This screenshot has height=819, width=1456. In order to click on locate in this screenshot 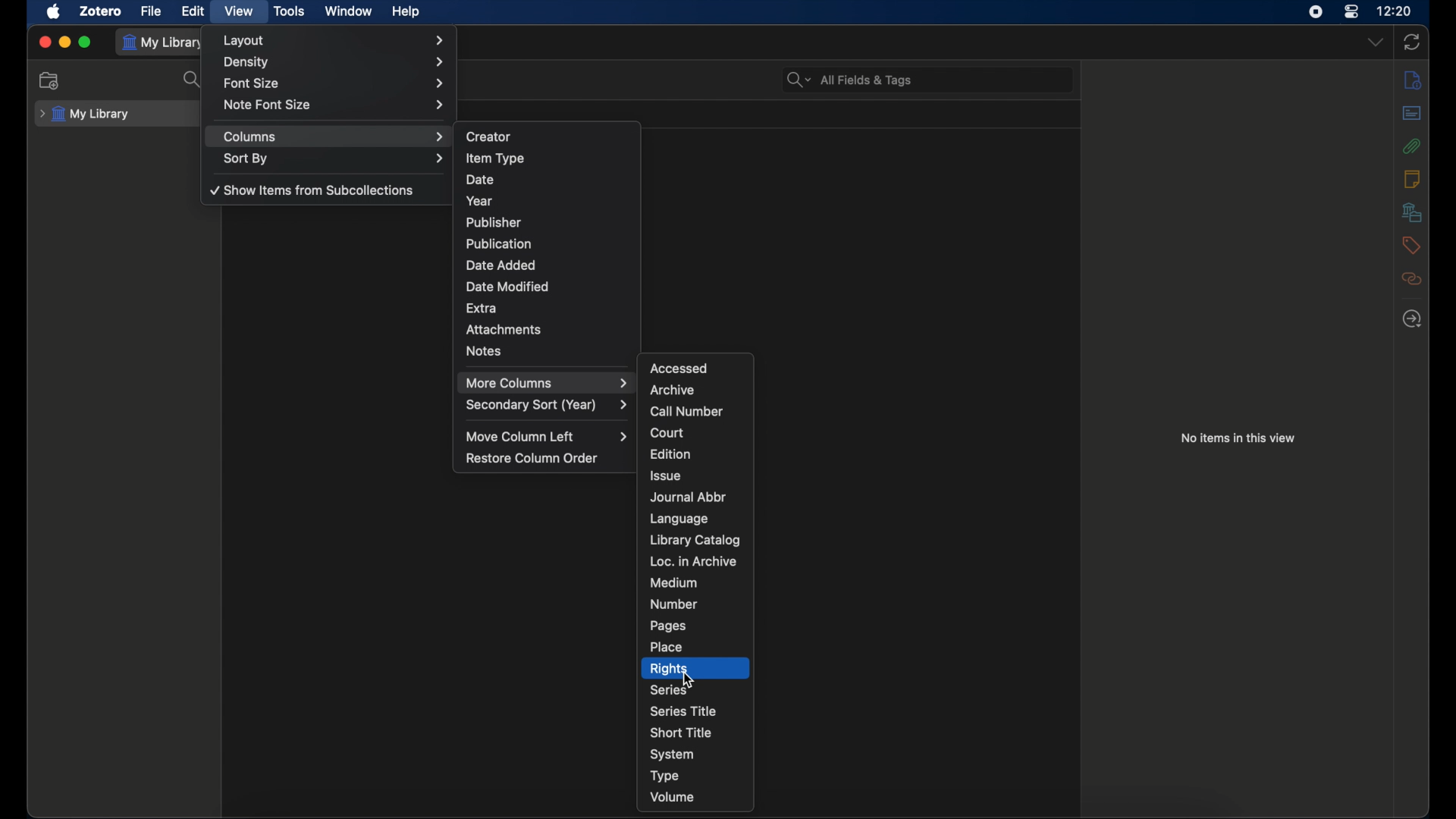, I will do `click(1412, 318)`.